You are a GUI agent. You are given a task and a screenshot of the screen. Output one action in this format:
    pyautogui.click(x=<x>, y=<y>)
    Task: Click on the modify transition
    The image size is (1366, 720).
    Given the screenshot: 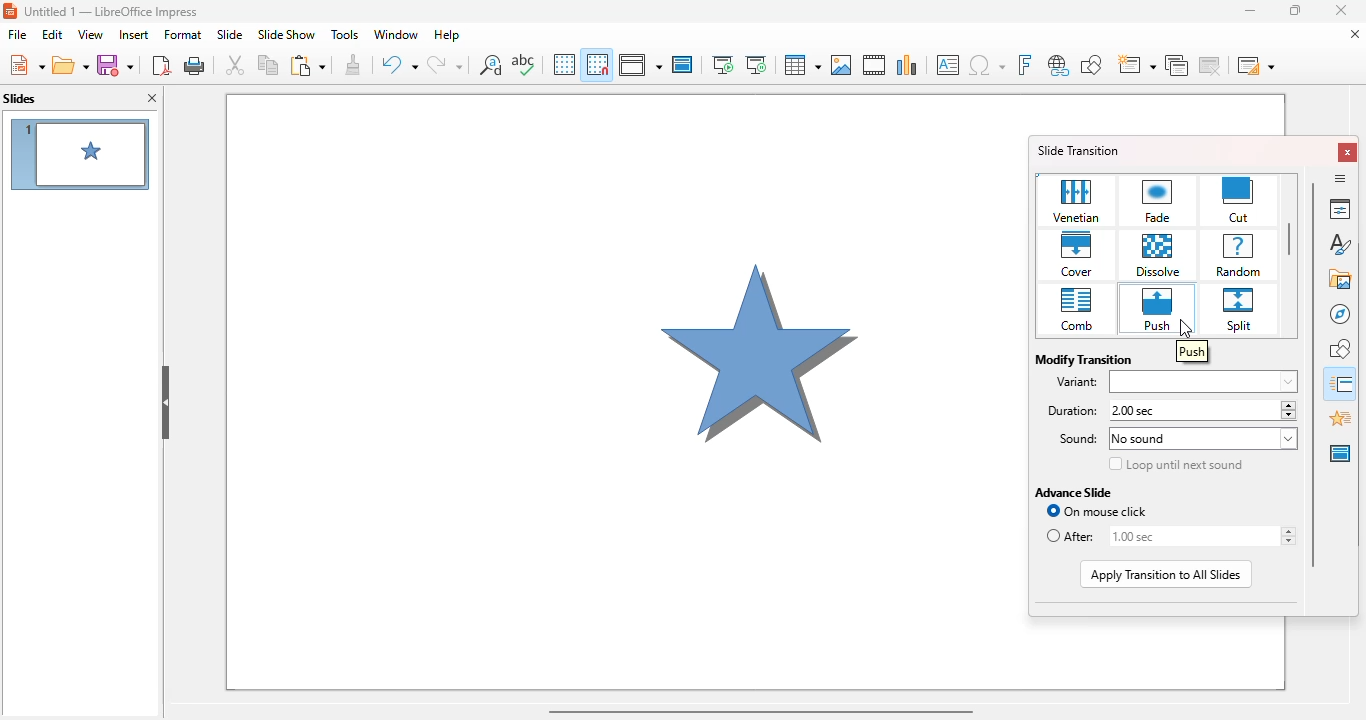 What is the action you would take?
    pyautogui.click(x=1083, y=359)
    